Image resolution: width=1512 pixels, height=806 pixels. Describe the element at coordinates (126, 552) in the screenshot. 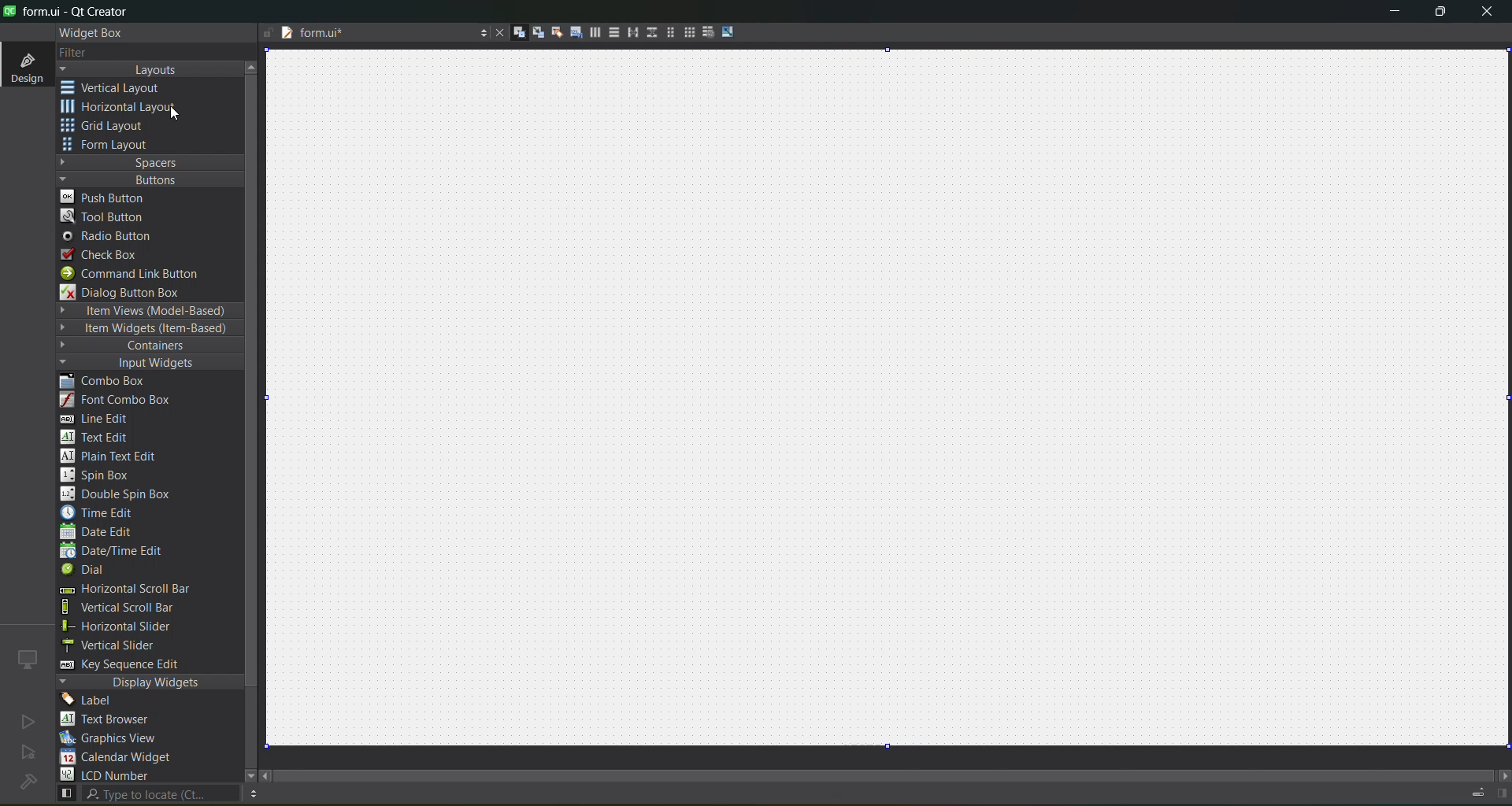

I see `date/time edit` at that location.